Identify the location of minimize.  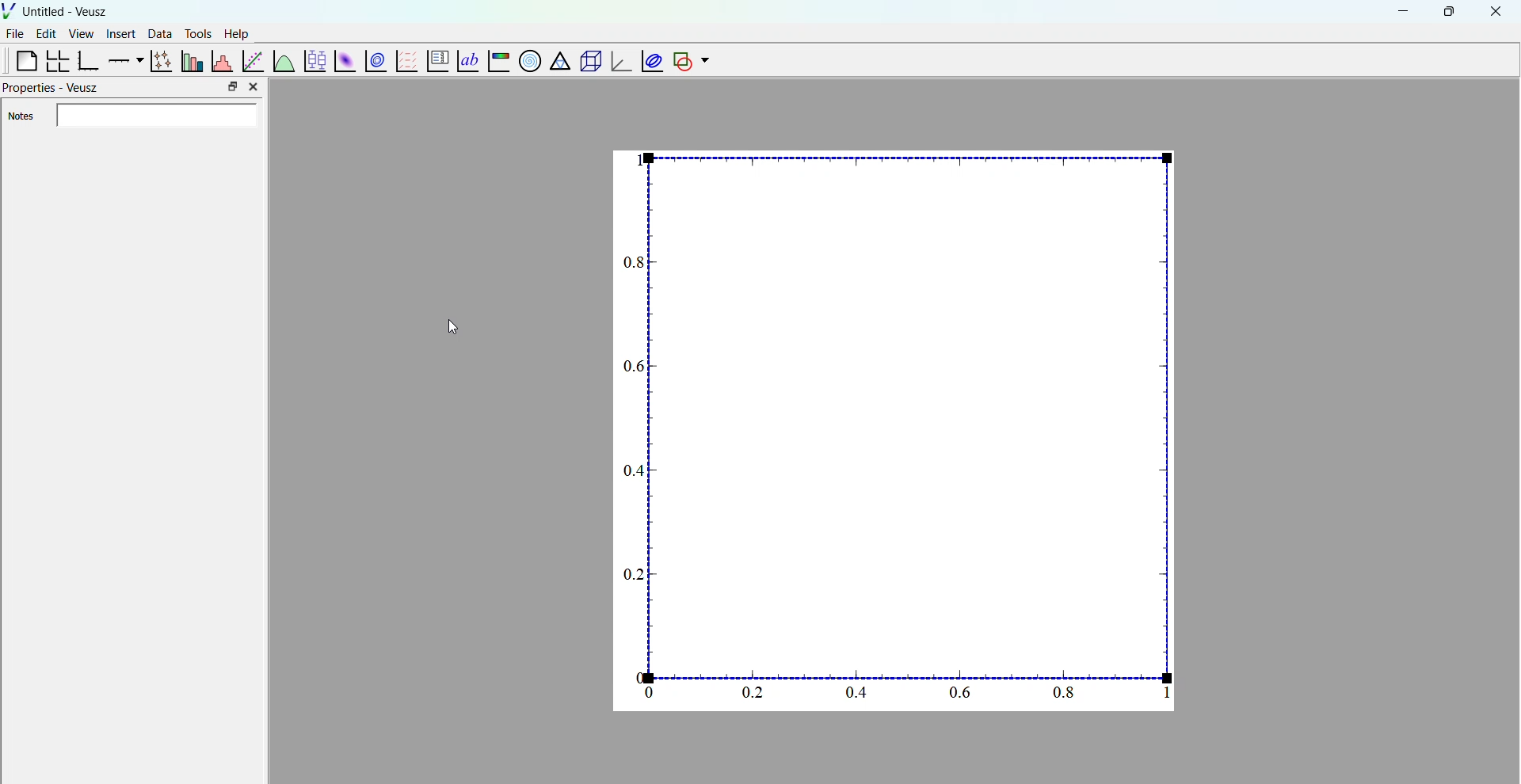
(1401, 10).